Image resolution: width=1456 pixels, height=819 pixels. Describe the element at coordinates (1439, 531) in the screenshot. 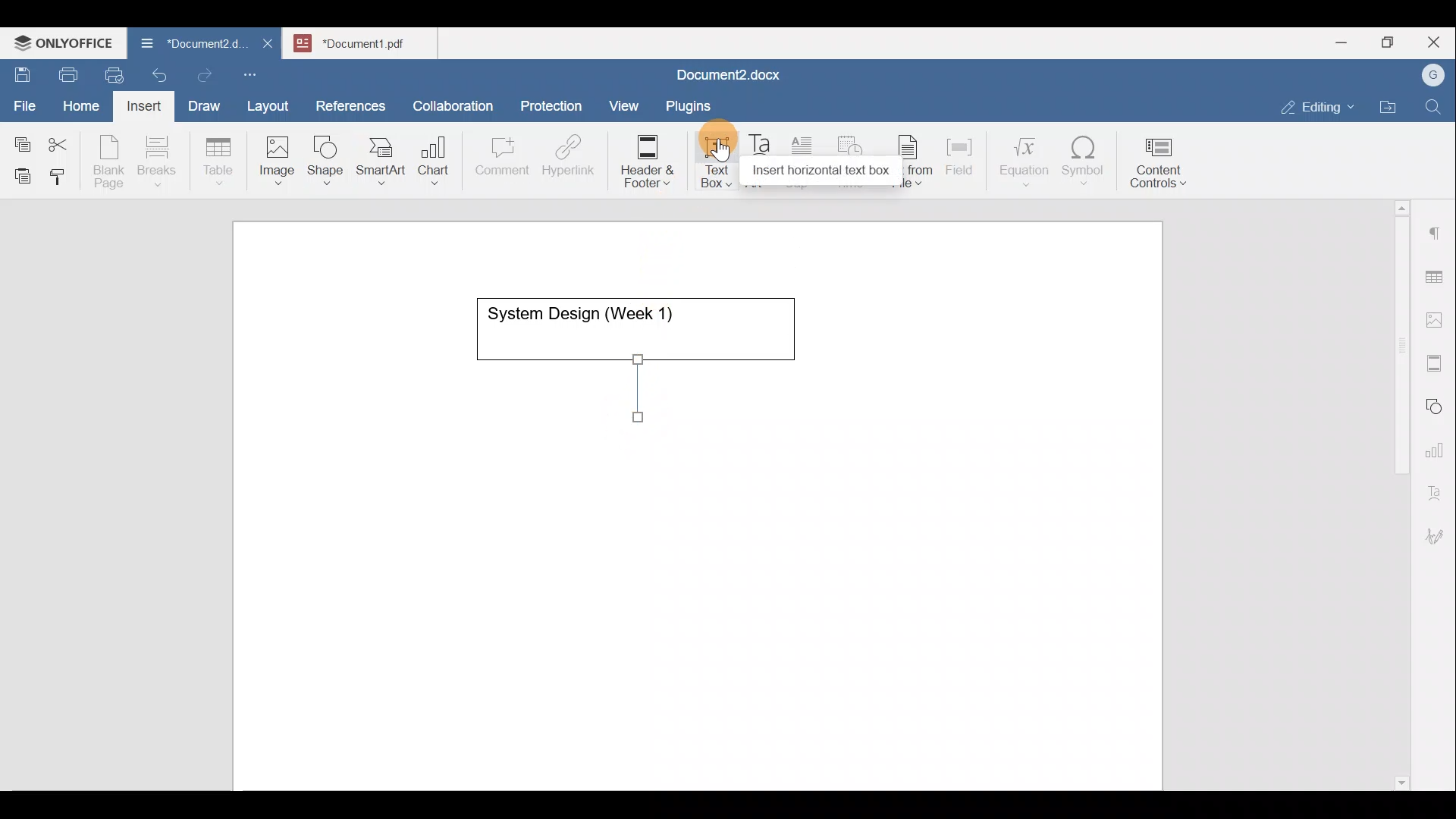

I see `Signature settings` at that location.